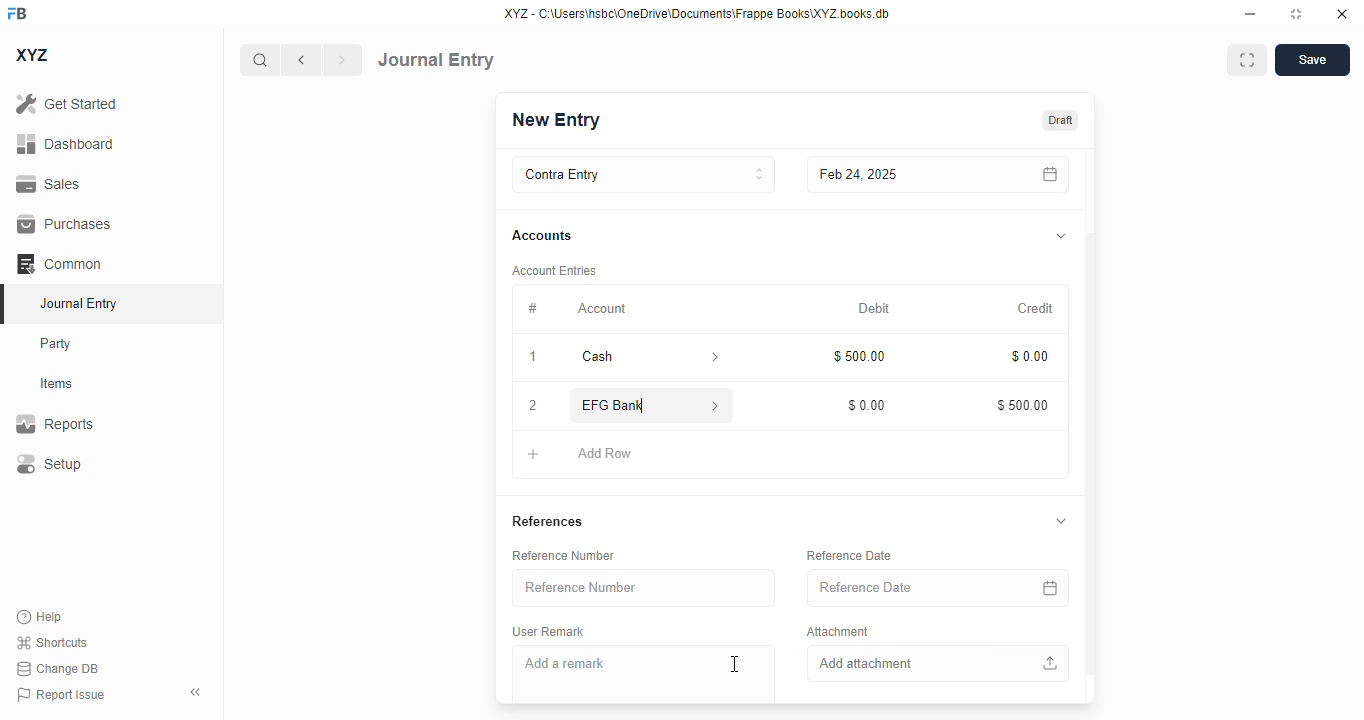 The width and height of the screenshot is (1364, 720). What do you see at coordinates (66, 224) in the screenshot?
I see `purchases` at bounding box center [66, 224].